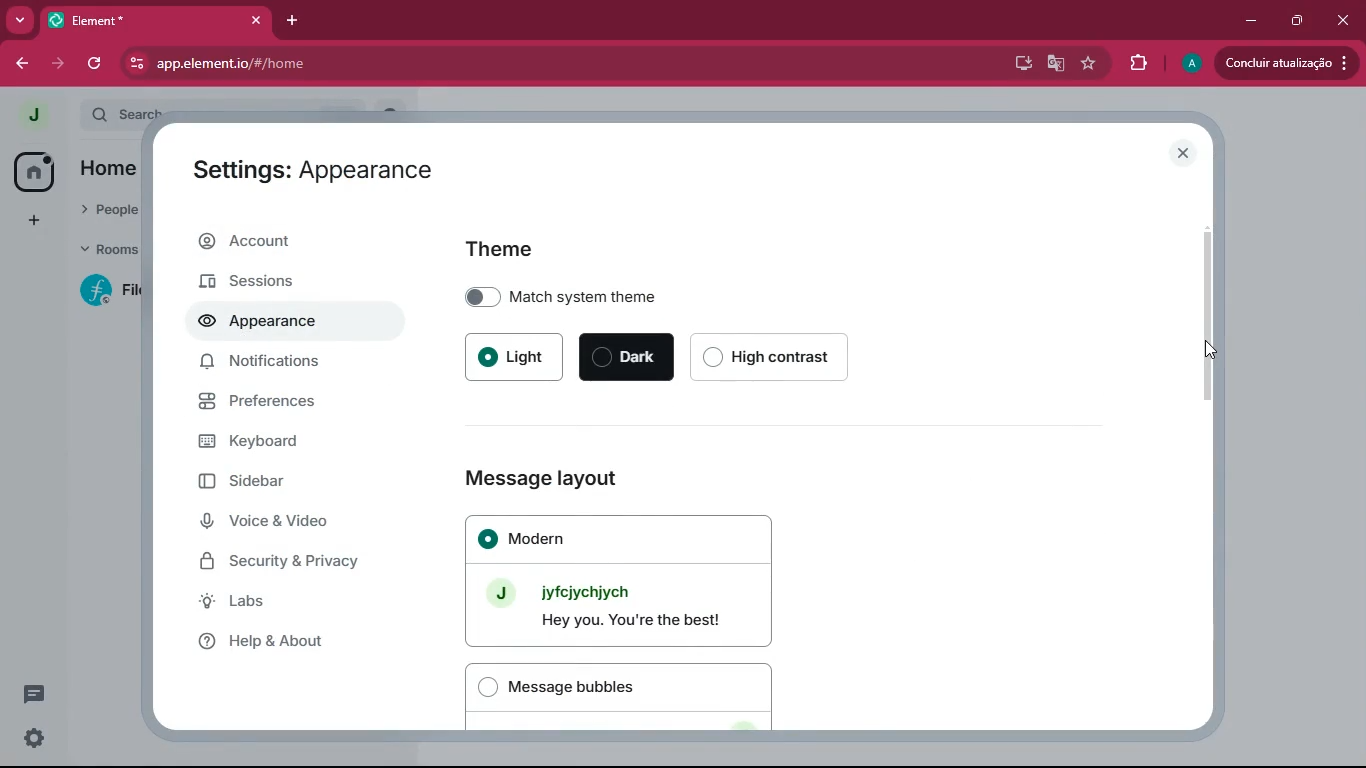  I want to click on more, so click(20, 19).